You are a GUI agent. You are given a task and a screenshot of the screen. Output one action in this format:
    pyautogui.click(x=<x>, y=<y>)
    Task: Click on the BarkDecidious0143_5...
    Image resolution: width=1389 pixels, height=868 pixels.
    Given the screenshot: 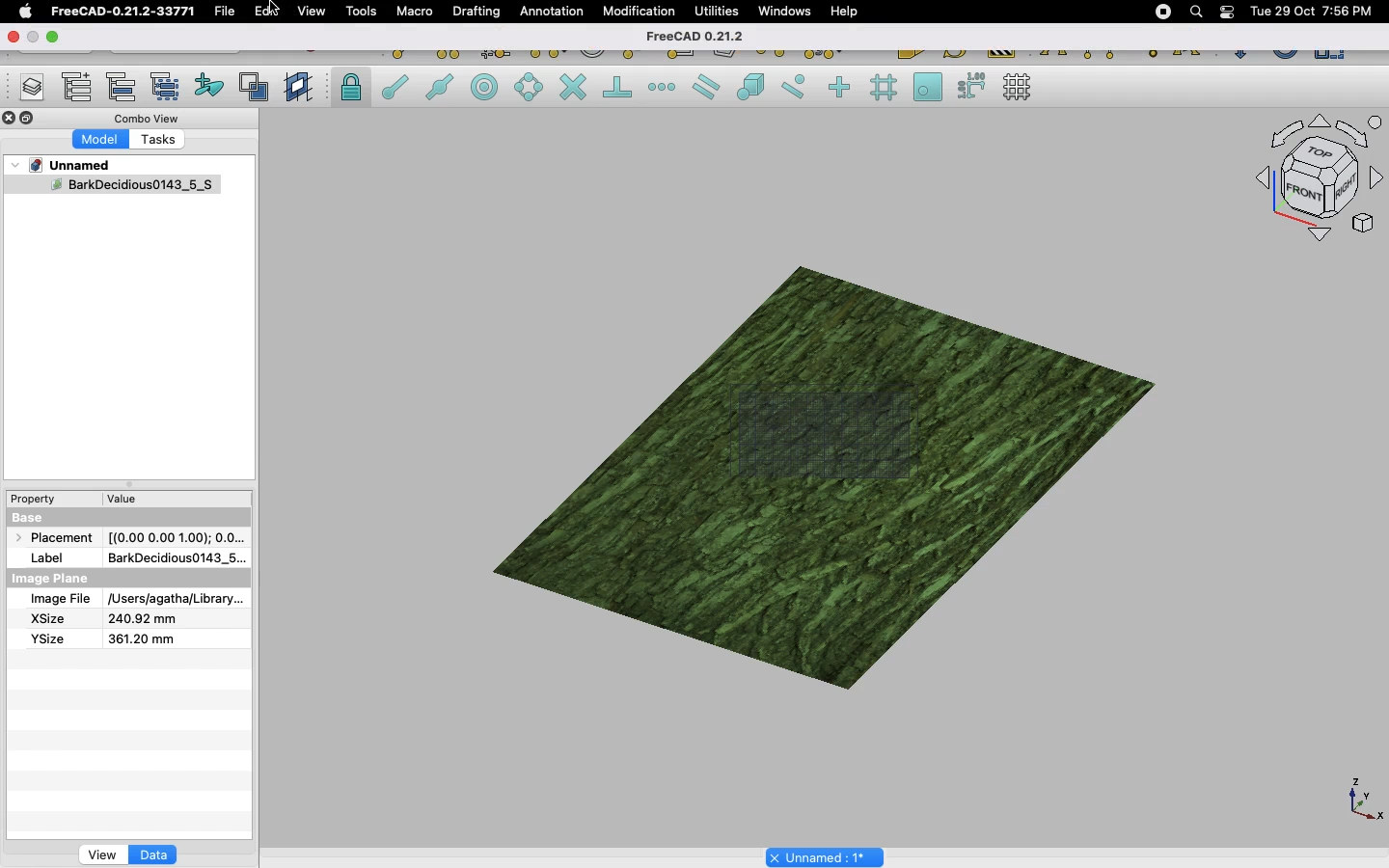 What is the action you would take?
    pyautogui.click(x=175, y=557)
    